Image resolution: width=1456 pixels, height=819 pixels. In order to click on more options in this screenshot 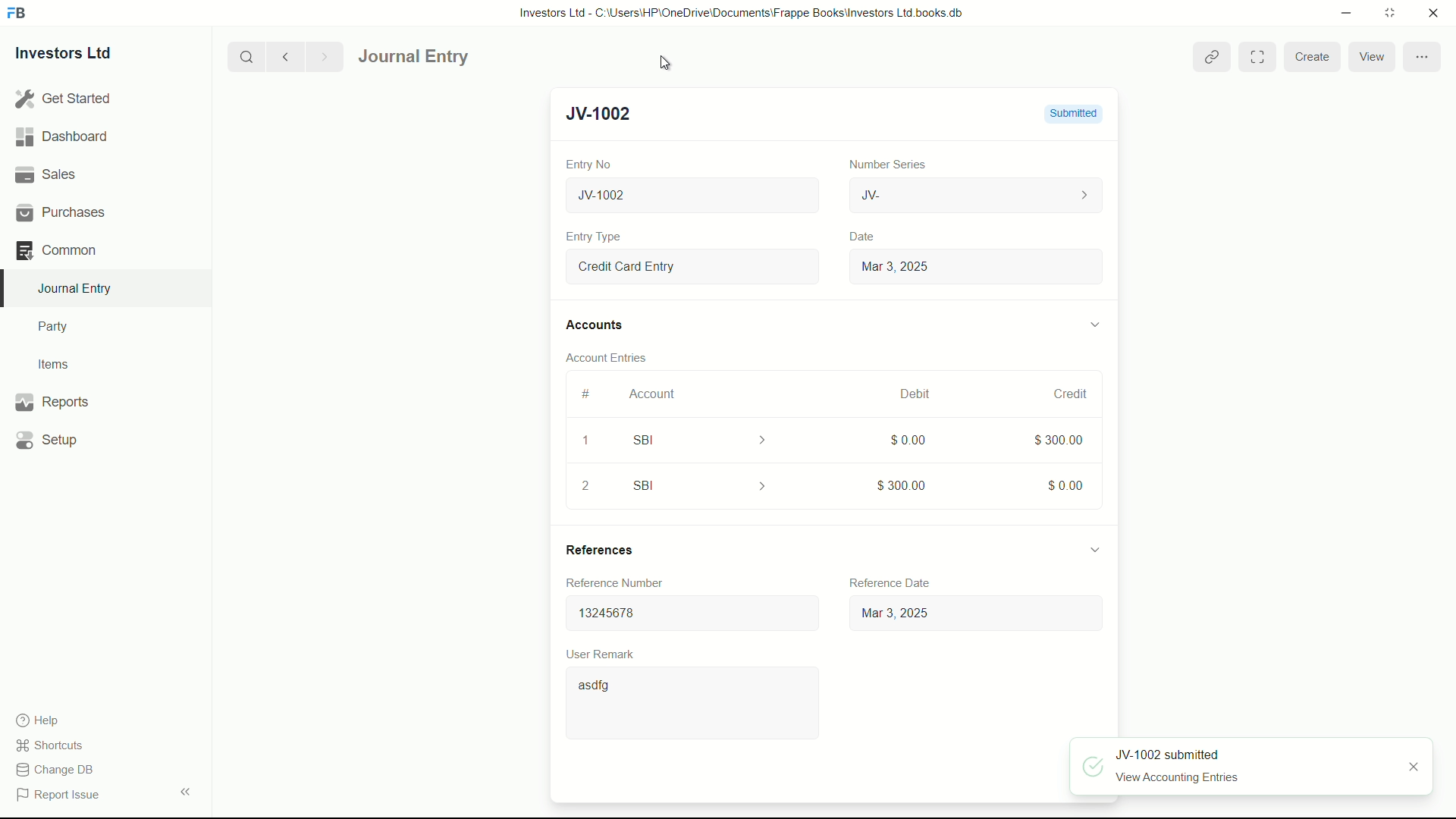, I will do `click(1423, 55)`.